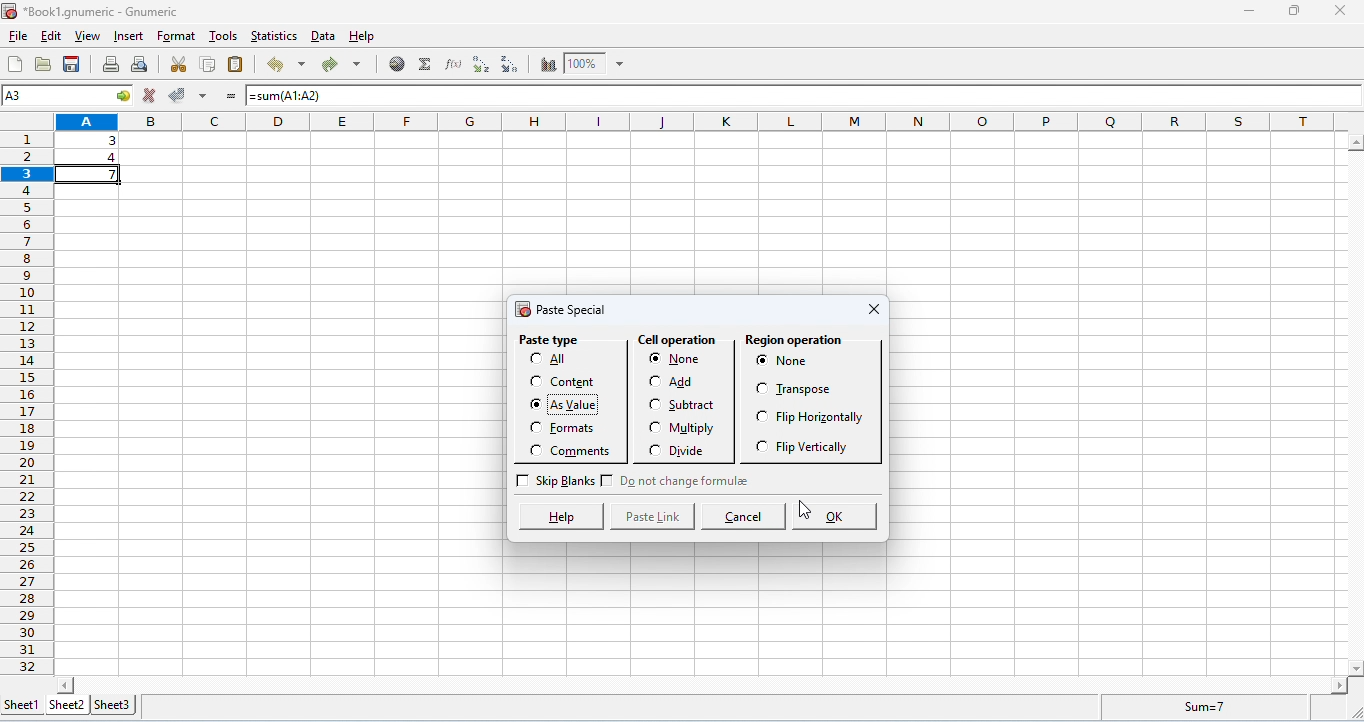 This screenshot has width=1364, height=722. What do you see at coordinates (113, 705) in the screenshot?
I see `sheet 3` at bounding box center [113, 705].